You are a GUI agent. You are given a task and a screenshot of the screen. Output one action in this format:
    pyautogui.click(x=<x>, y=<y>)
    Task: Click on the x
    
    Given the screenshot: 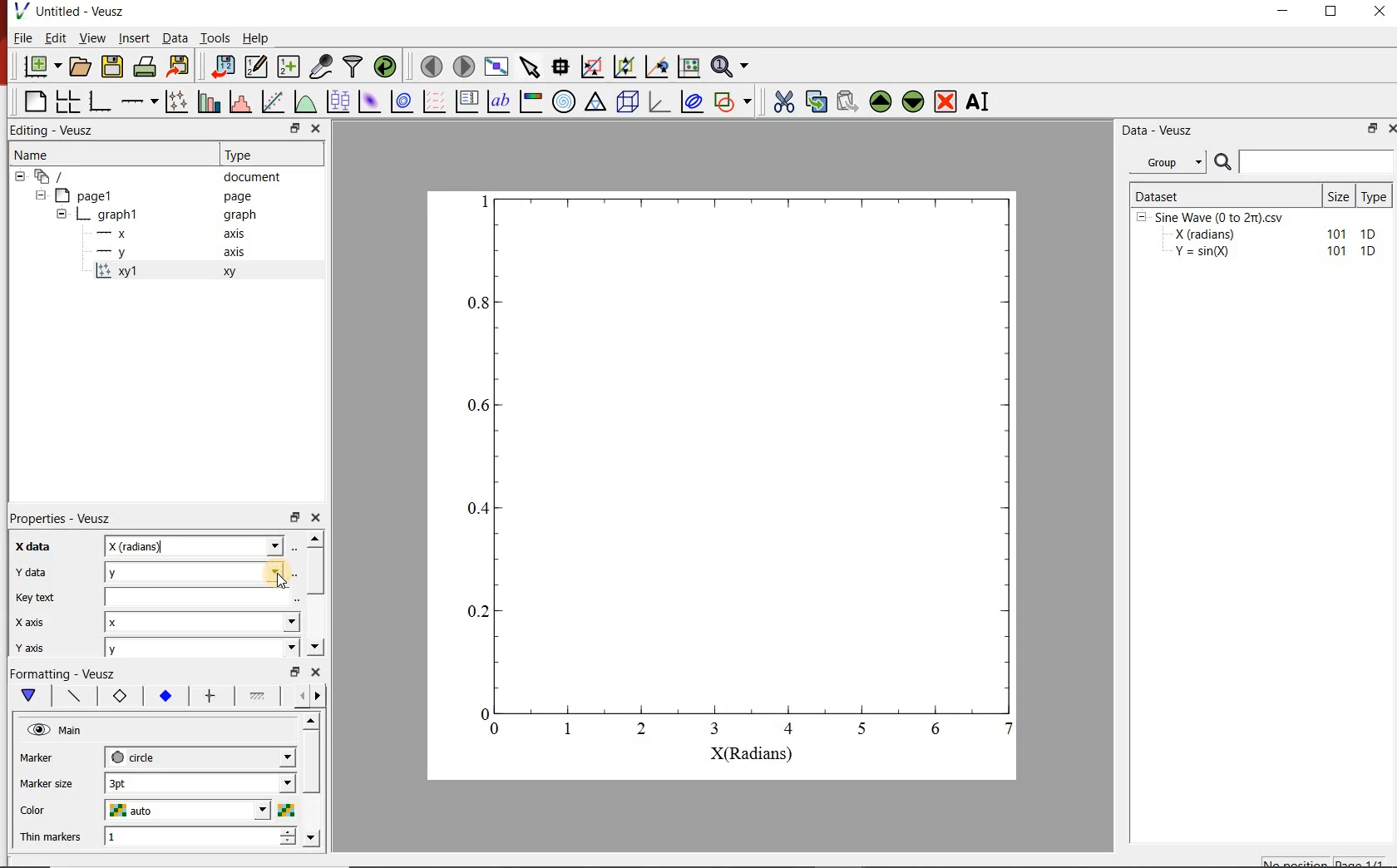 What is the action you would take?
    pyautogui.click(x=205, y=624)
    